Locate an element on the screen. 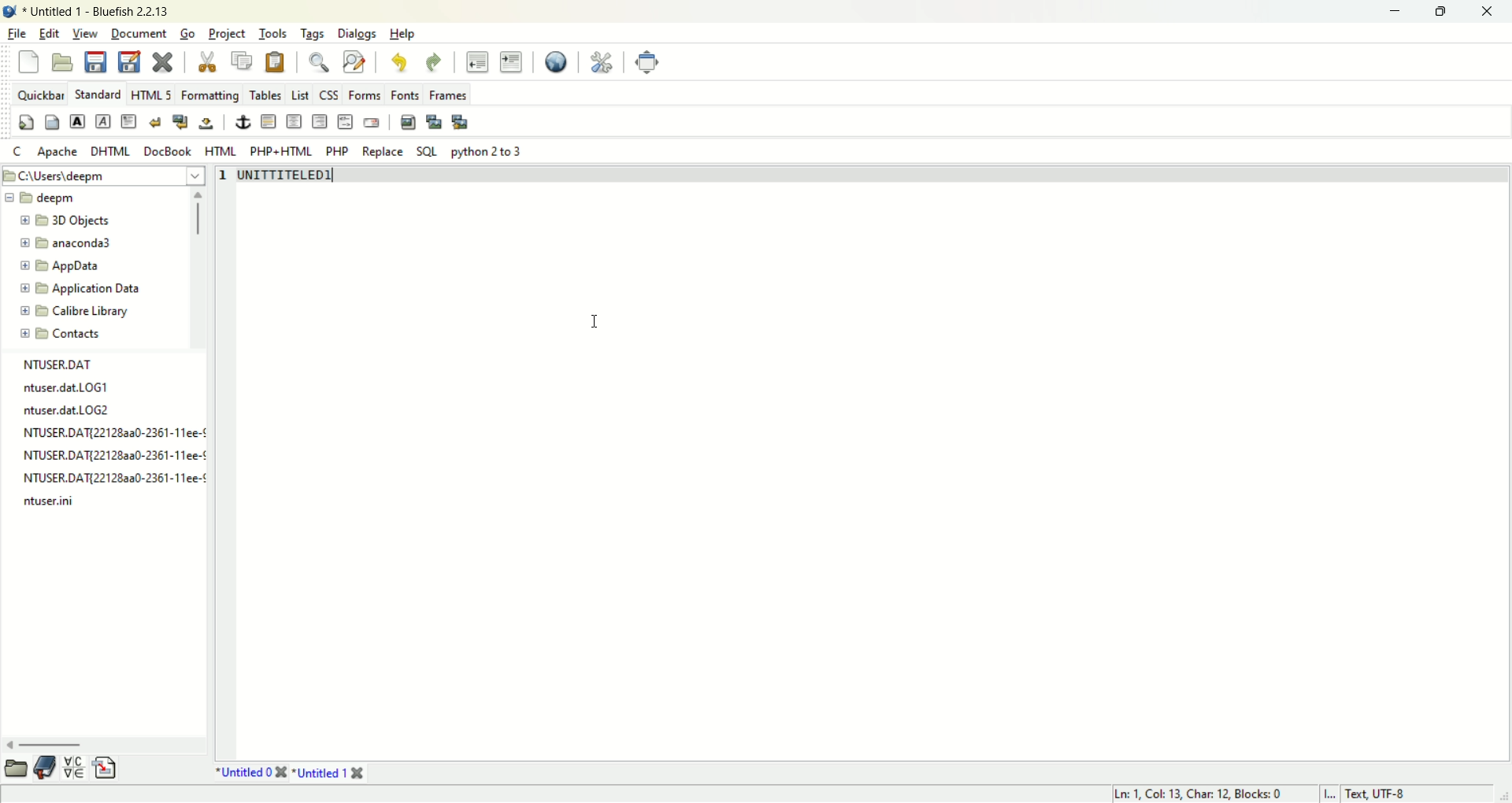  multi thumbnail is located at coordinates (460, 121).